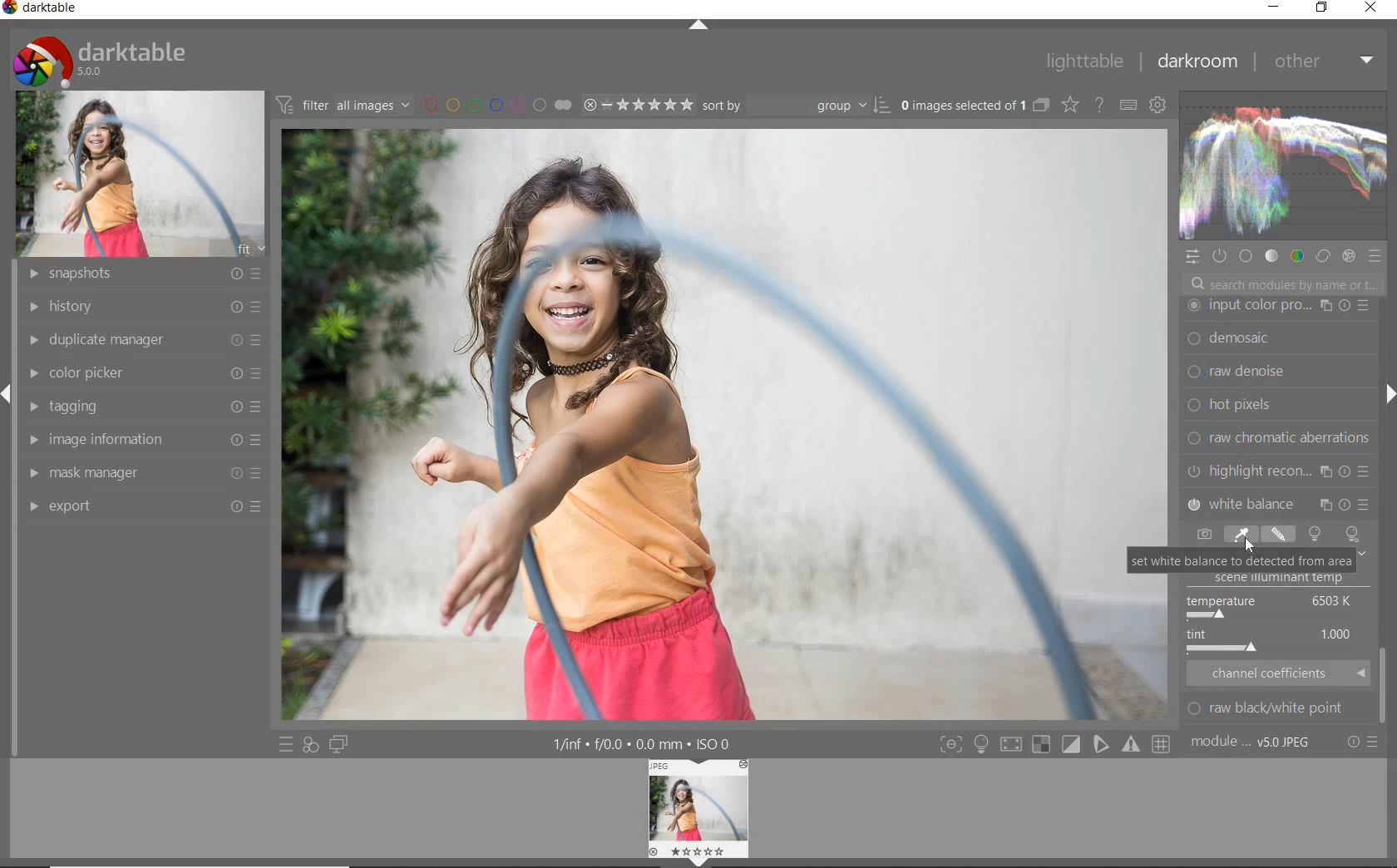  What do you see at coordinates (1158, 106) in the screenshot?
I see `show global preference` at bounding box center [1158, 106].